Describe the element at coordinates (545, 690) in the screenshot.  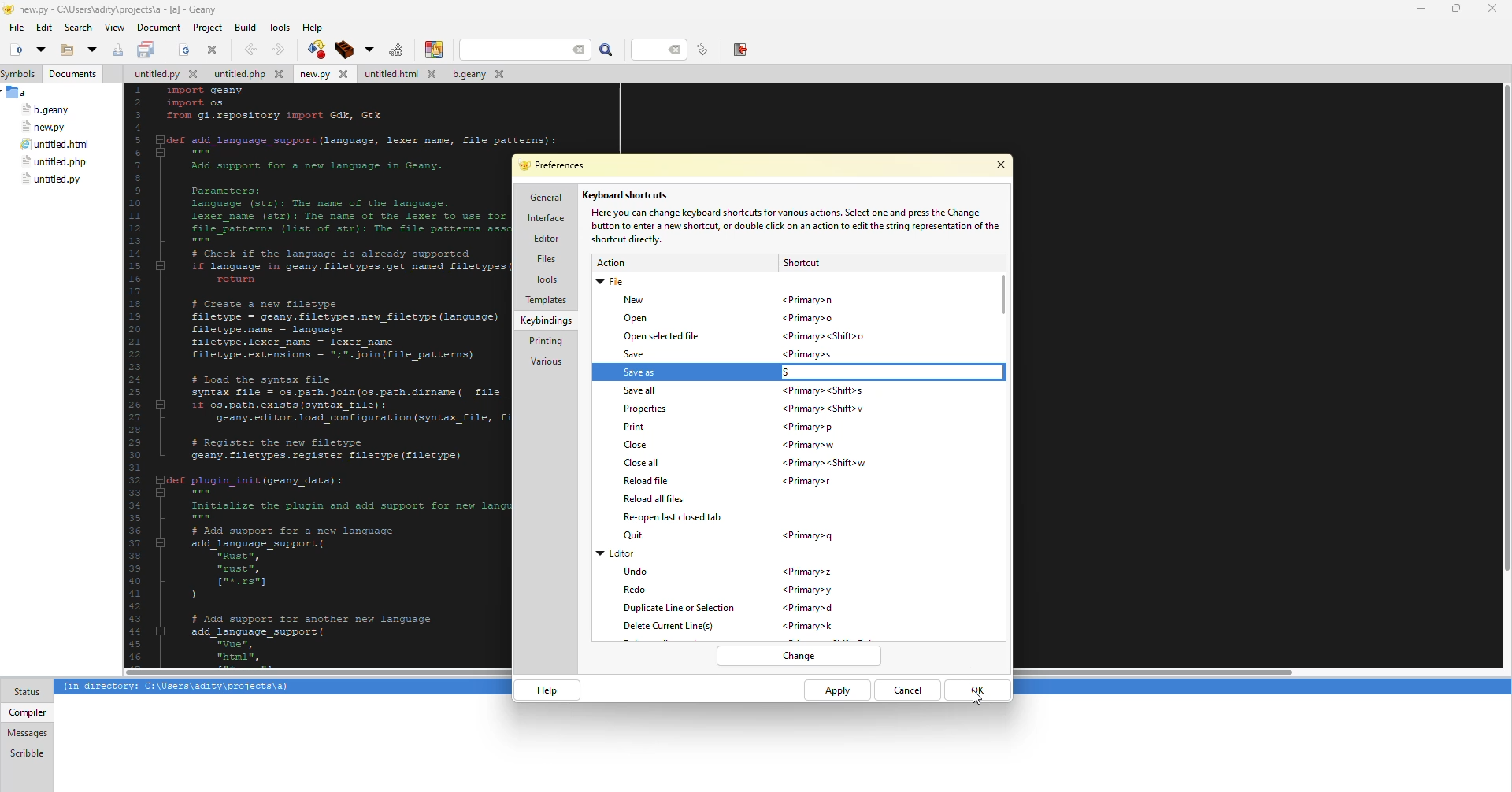
I see `help` at that location.